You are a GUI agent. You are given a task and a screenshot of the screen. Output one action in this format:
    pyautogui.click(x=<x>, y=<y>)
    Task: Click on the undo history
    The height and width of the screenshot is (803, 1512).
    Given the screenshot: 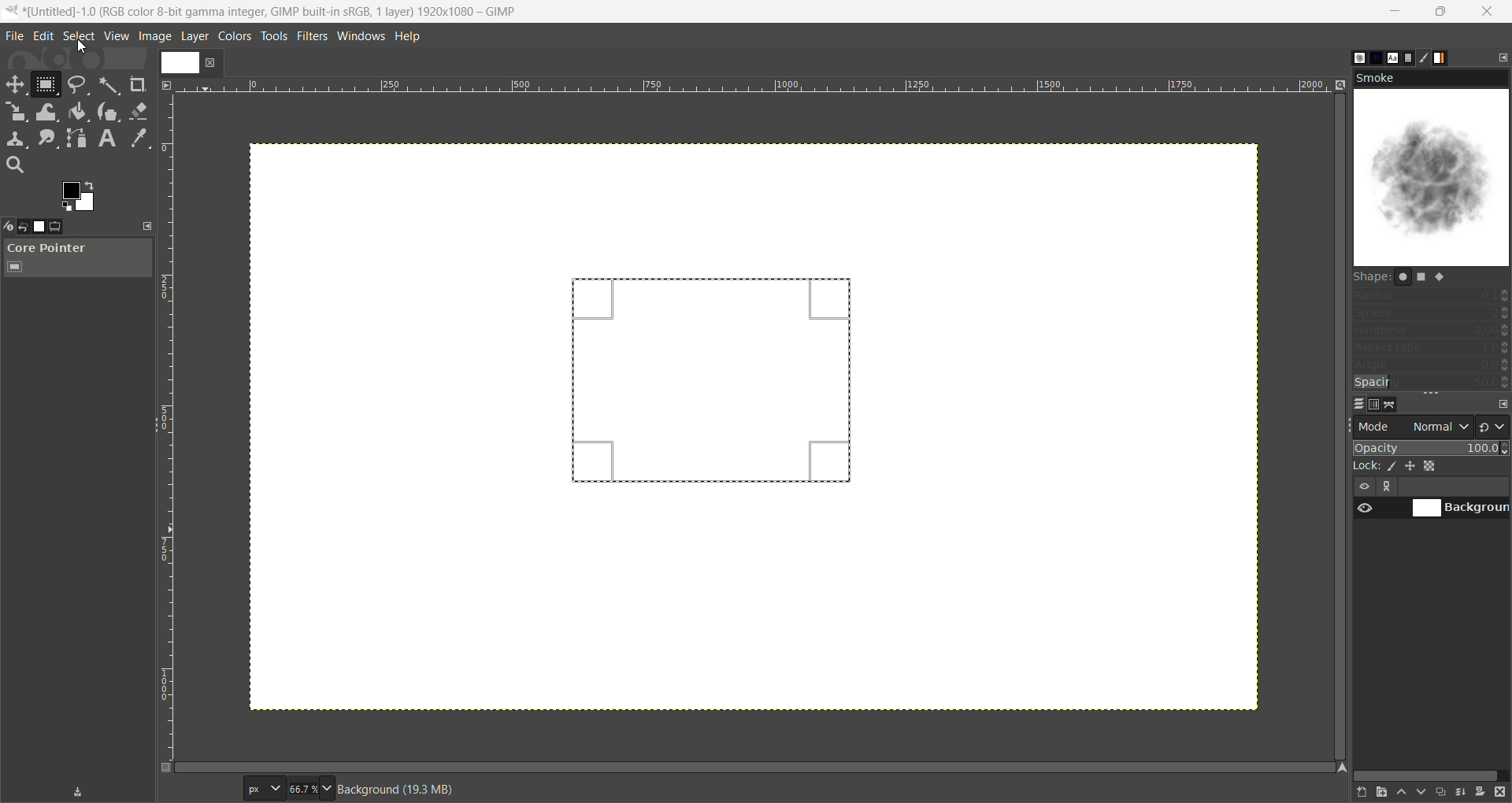 What is the action you would take?
    pyautogui.click(x=22, y=228)
    